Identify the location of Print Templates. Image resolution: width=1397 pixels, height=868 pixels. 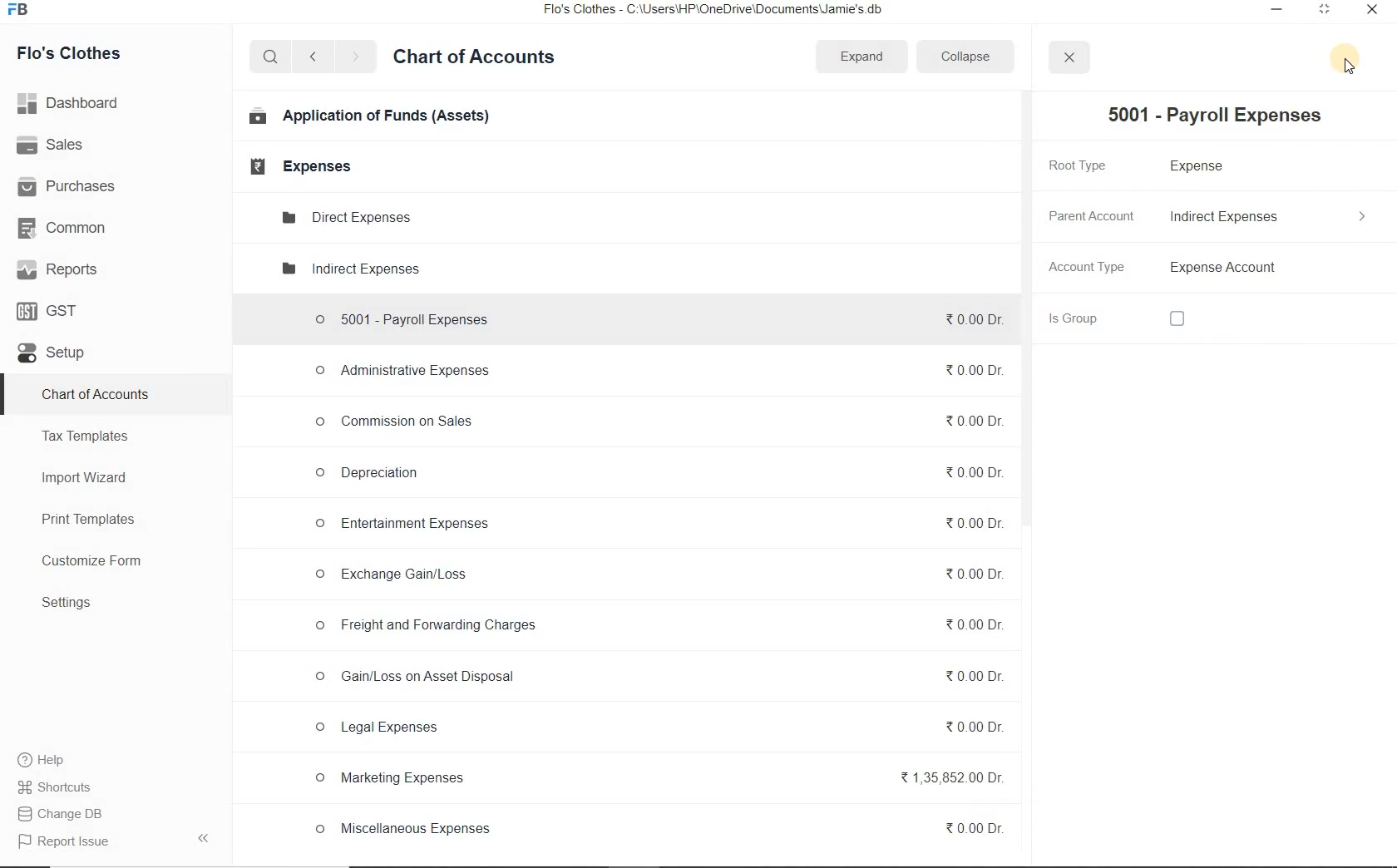
(88, 520).